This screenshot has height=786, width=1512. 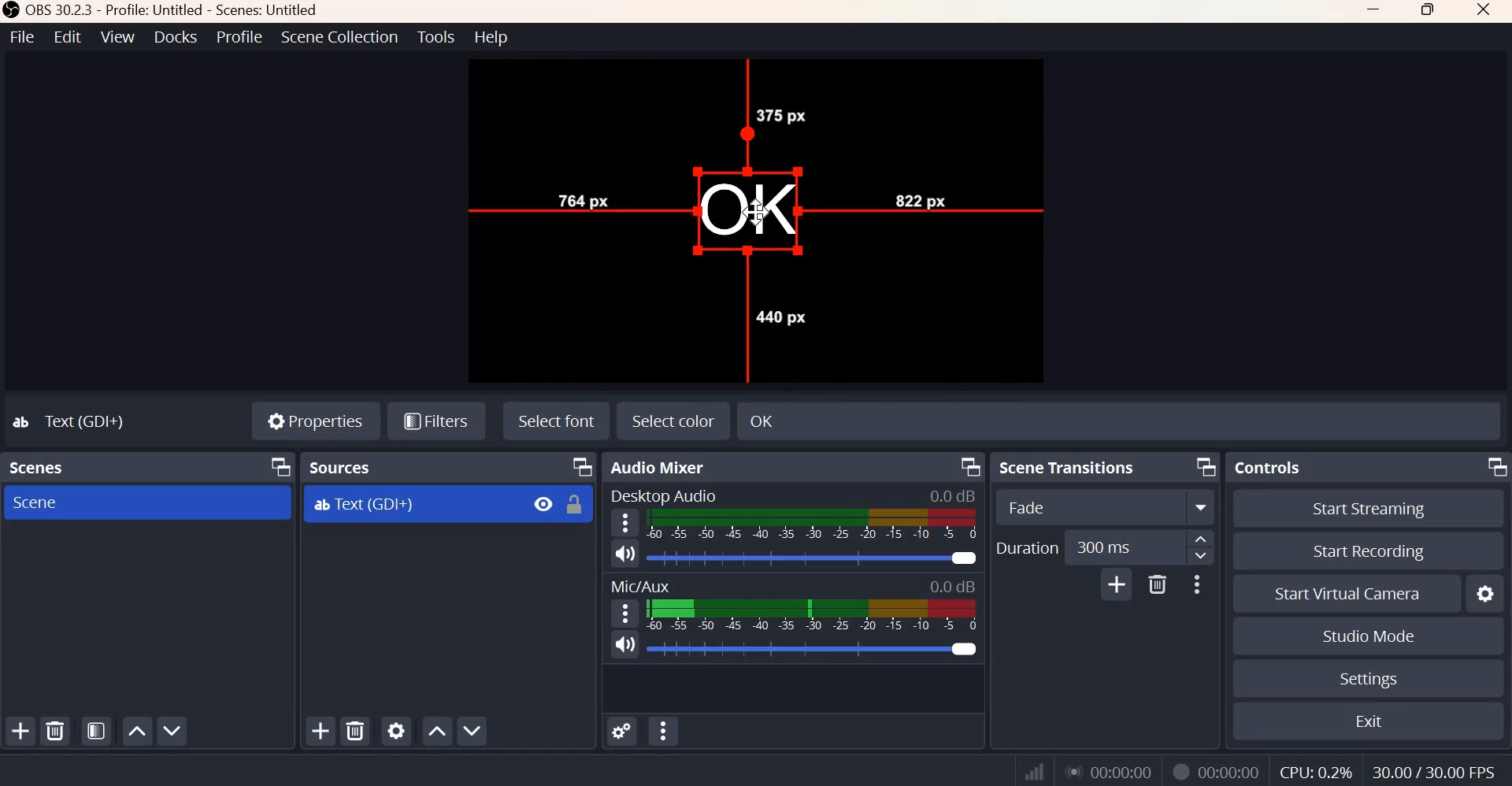 What do you see at coordinates (68, 36) in the screenshot?
I see `Edit` at bounding box center [68, 36].